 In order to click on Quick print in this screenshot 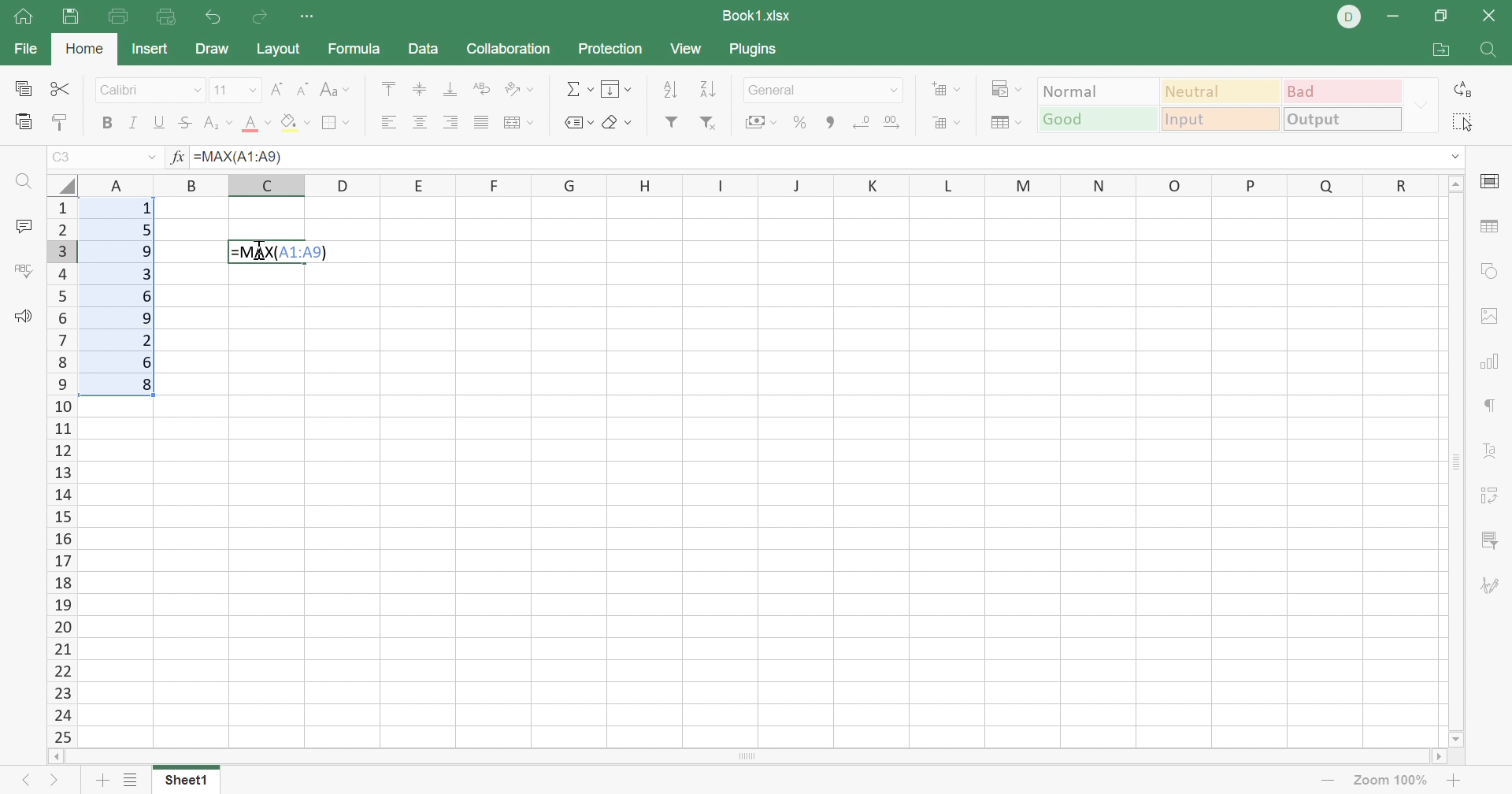, I will do `click(168, 15)`.